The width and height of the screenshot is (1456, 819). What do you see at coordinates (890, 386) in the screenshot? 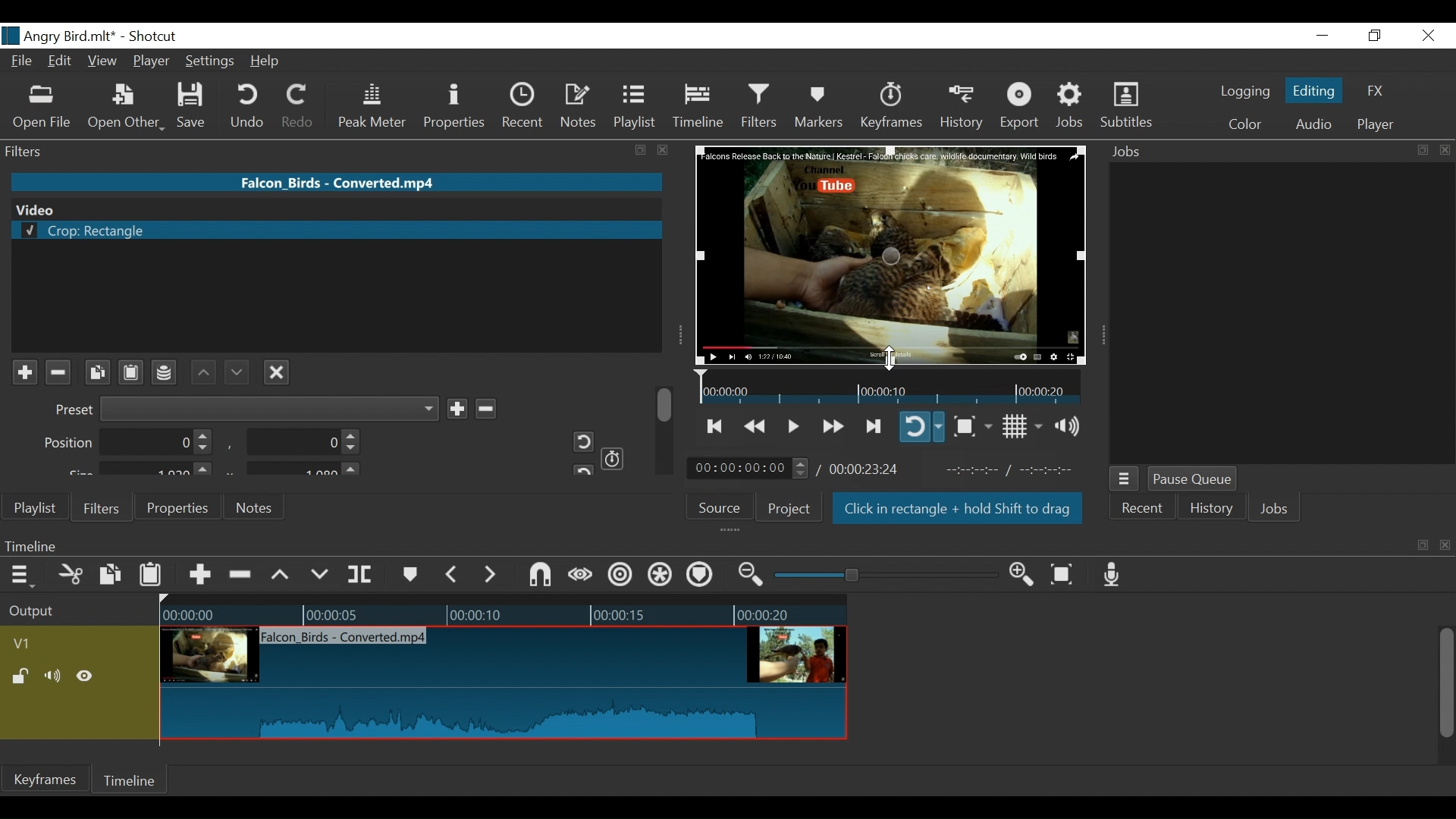
I see `Timeline` at bounding box center [890, 386].